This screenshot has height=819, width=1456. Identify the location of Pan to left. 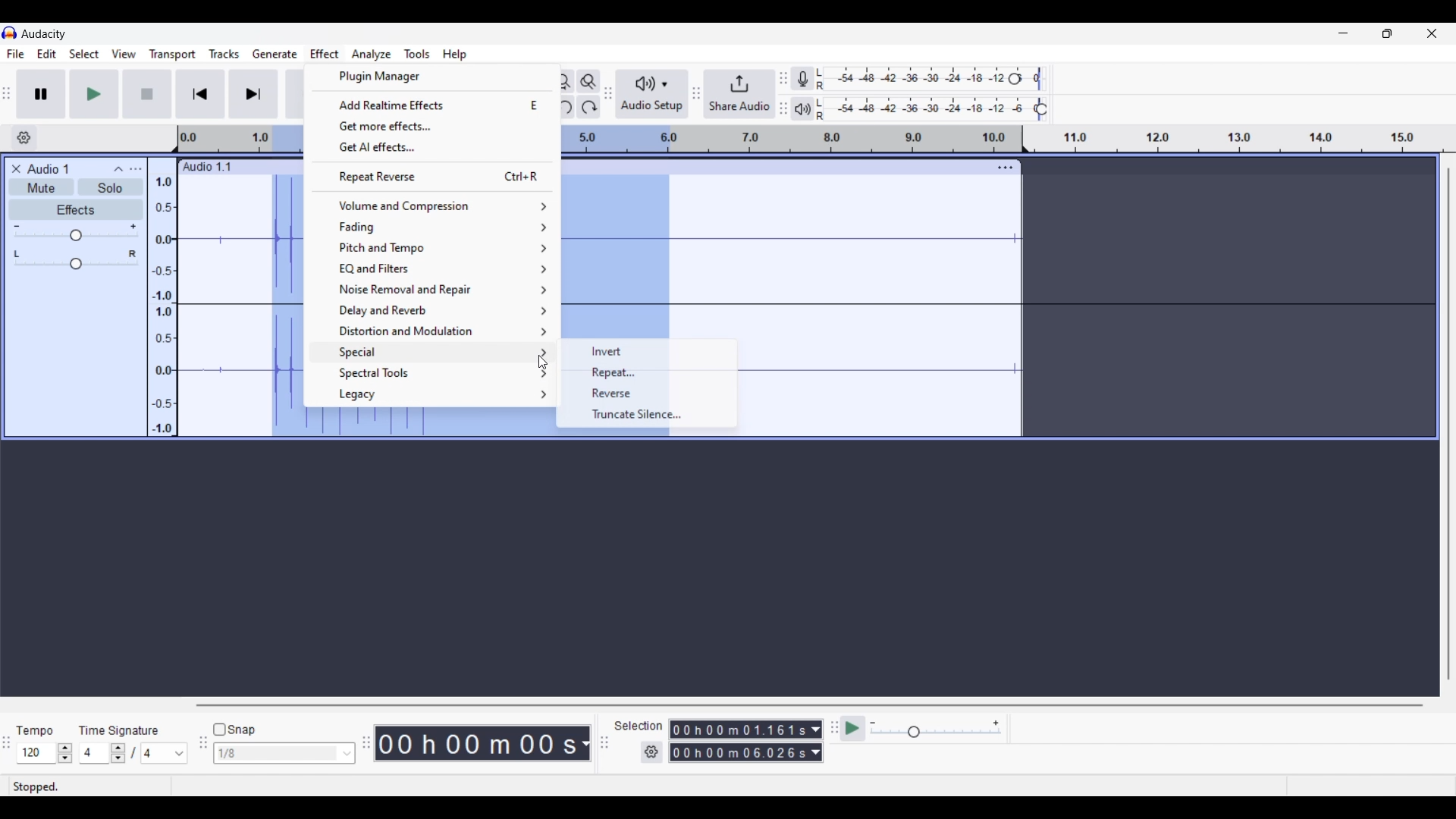
(17, 254).